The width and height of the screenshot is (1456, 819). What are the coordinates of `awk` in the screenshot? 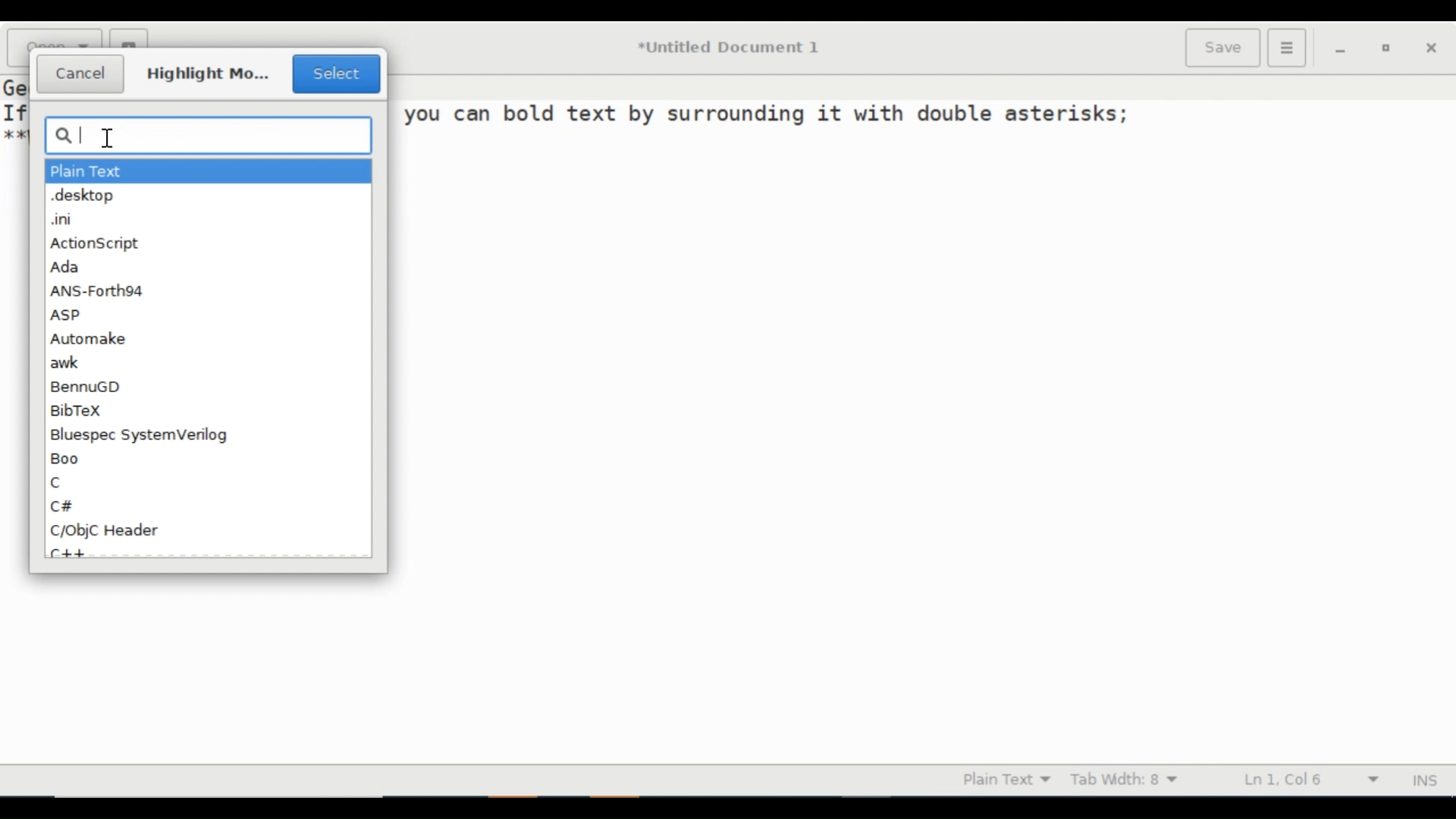 It's located at (67, 362).